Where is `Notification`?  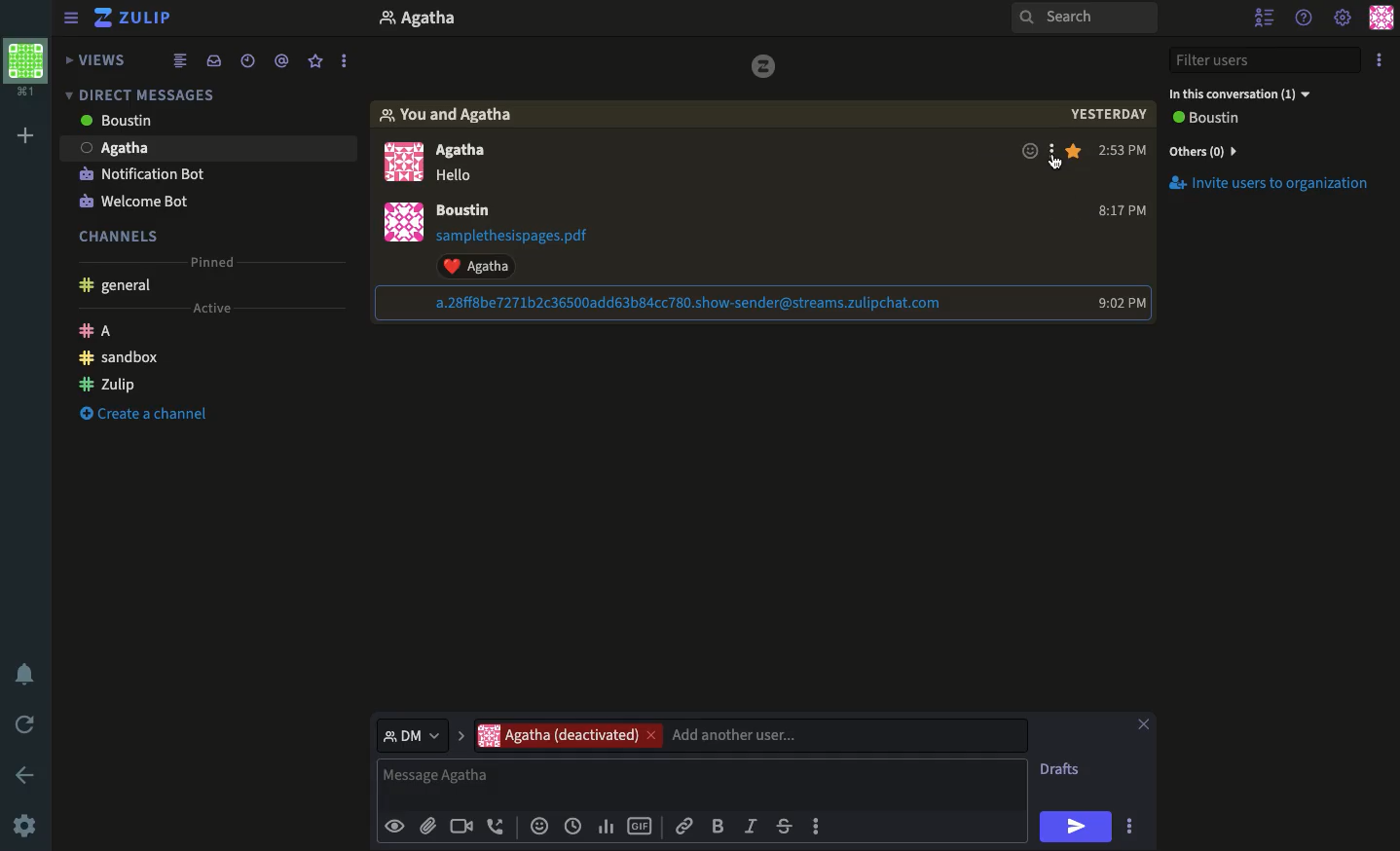
Notification is located at coordinates (28, 674).